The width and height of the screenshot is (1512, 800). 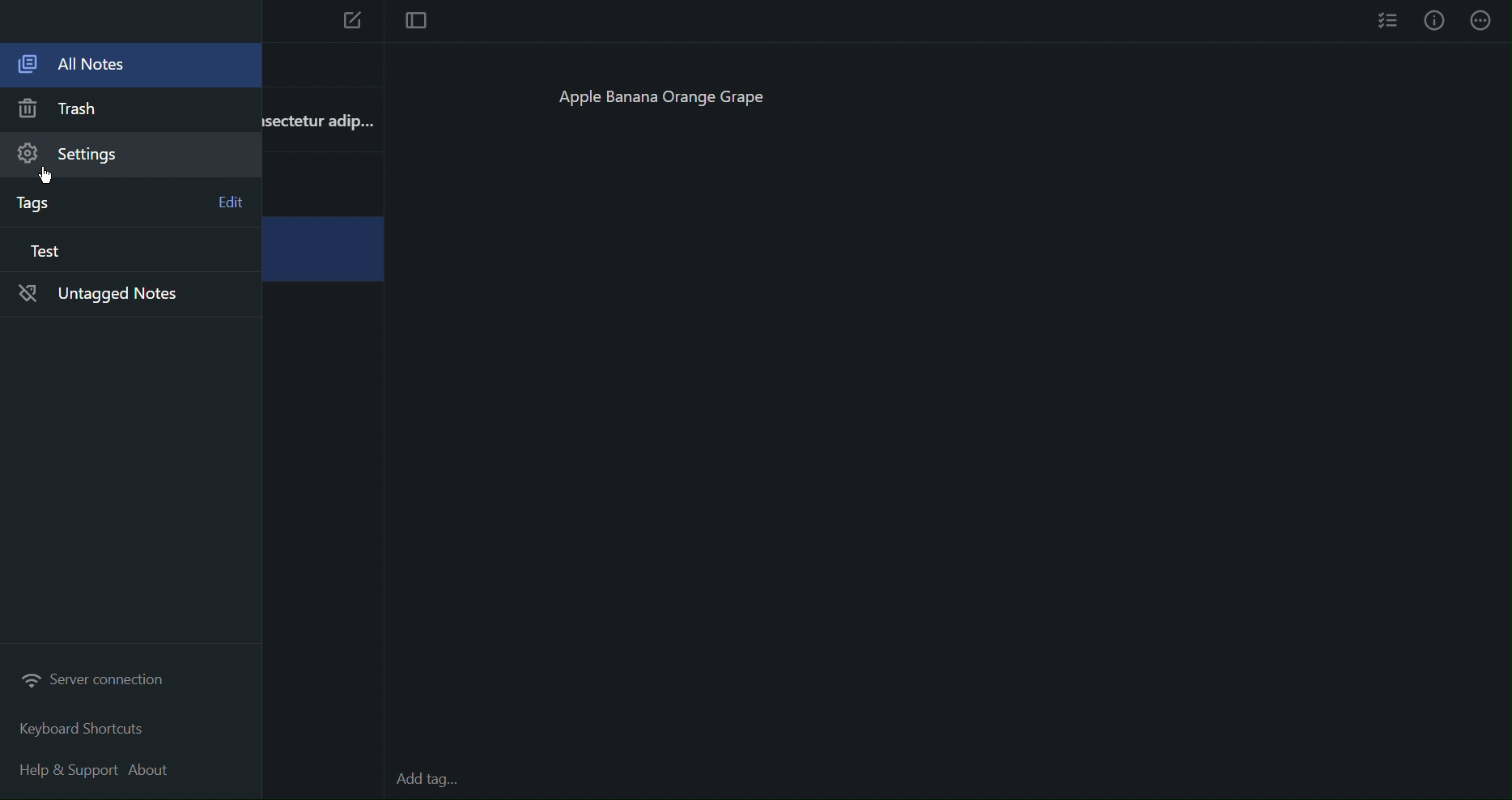 I want to click on Trash, so click(x=66, y=111).